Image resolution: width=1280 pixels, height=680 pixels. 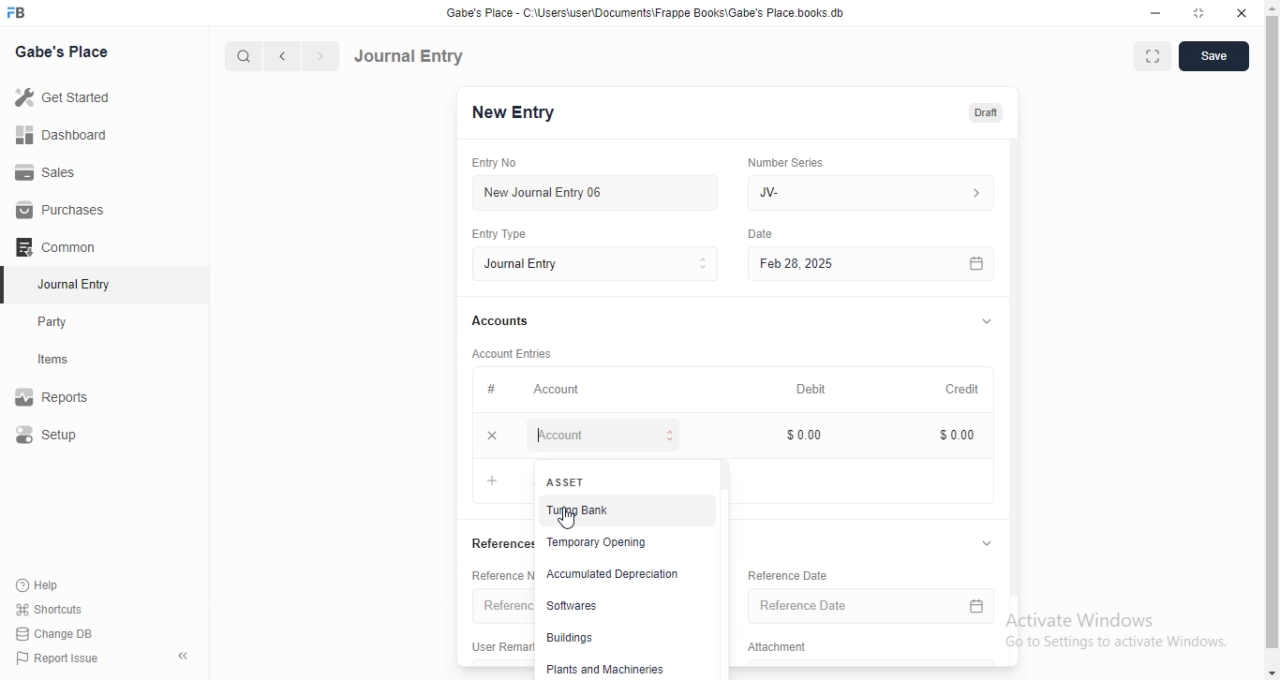 I want to click on New Journal Entry 06, so click(x=597, y=191).